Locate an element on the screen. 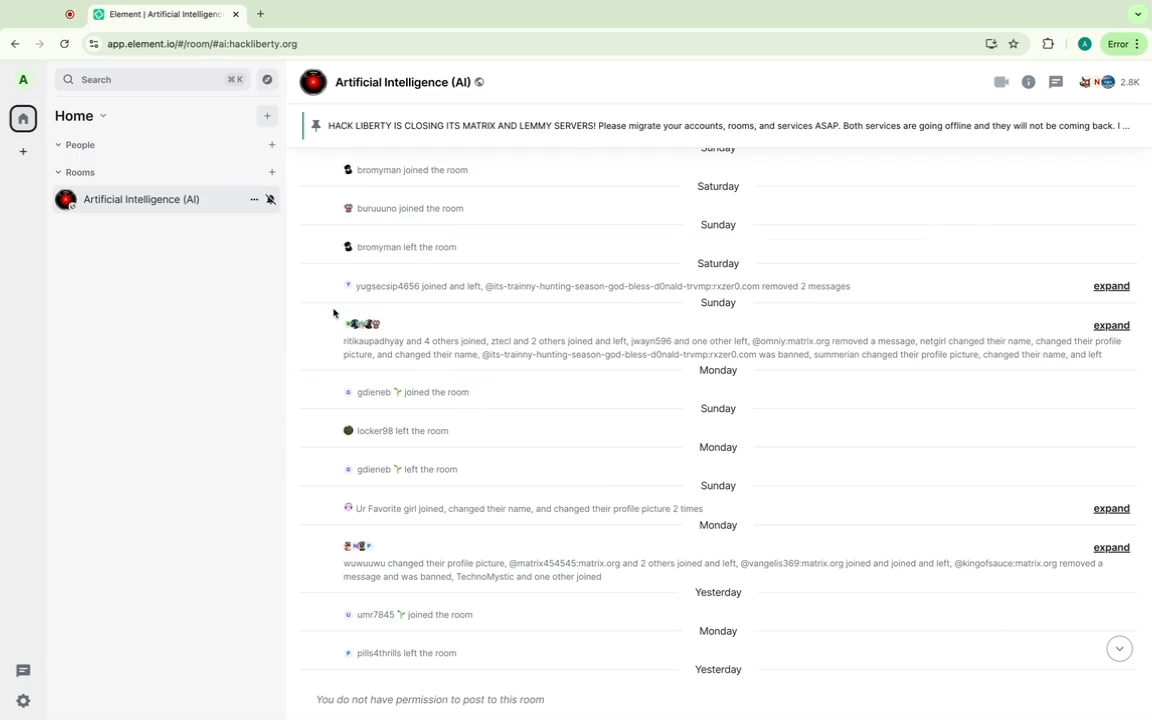 Image resolution: width=1152 pixels, height=720 pixels. Day is located at coordinates (719, 372).